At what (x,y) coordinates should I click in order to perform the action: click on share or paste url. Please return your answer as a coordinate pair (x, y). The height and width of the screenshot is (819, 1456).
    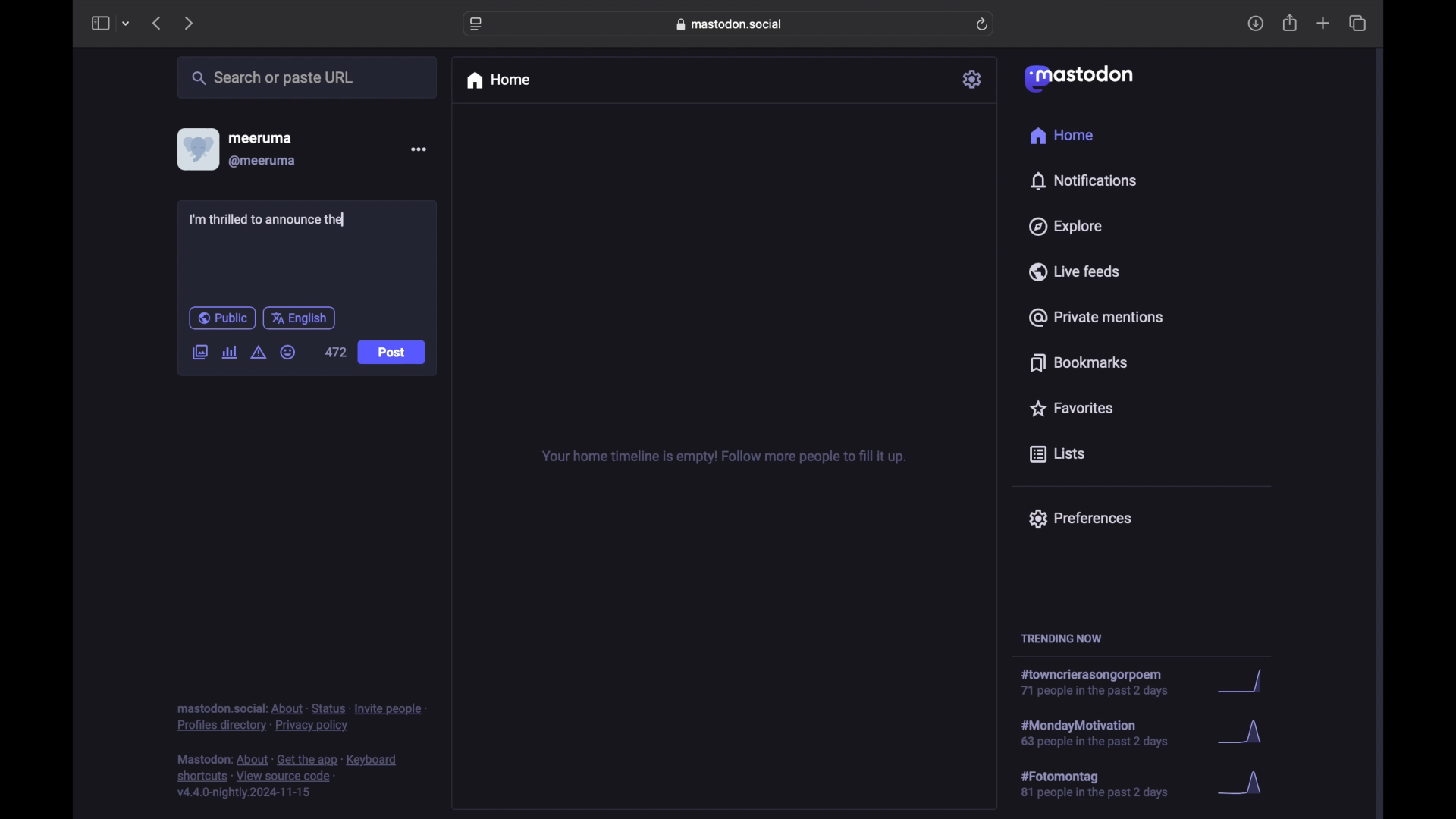
    Looking at the image, I should click on (273, 77).